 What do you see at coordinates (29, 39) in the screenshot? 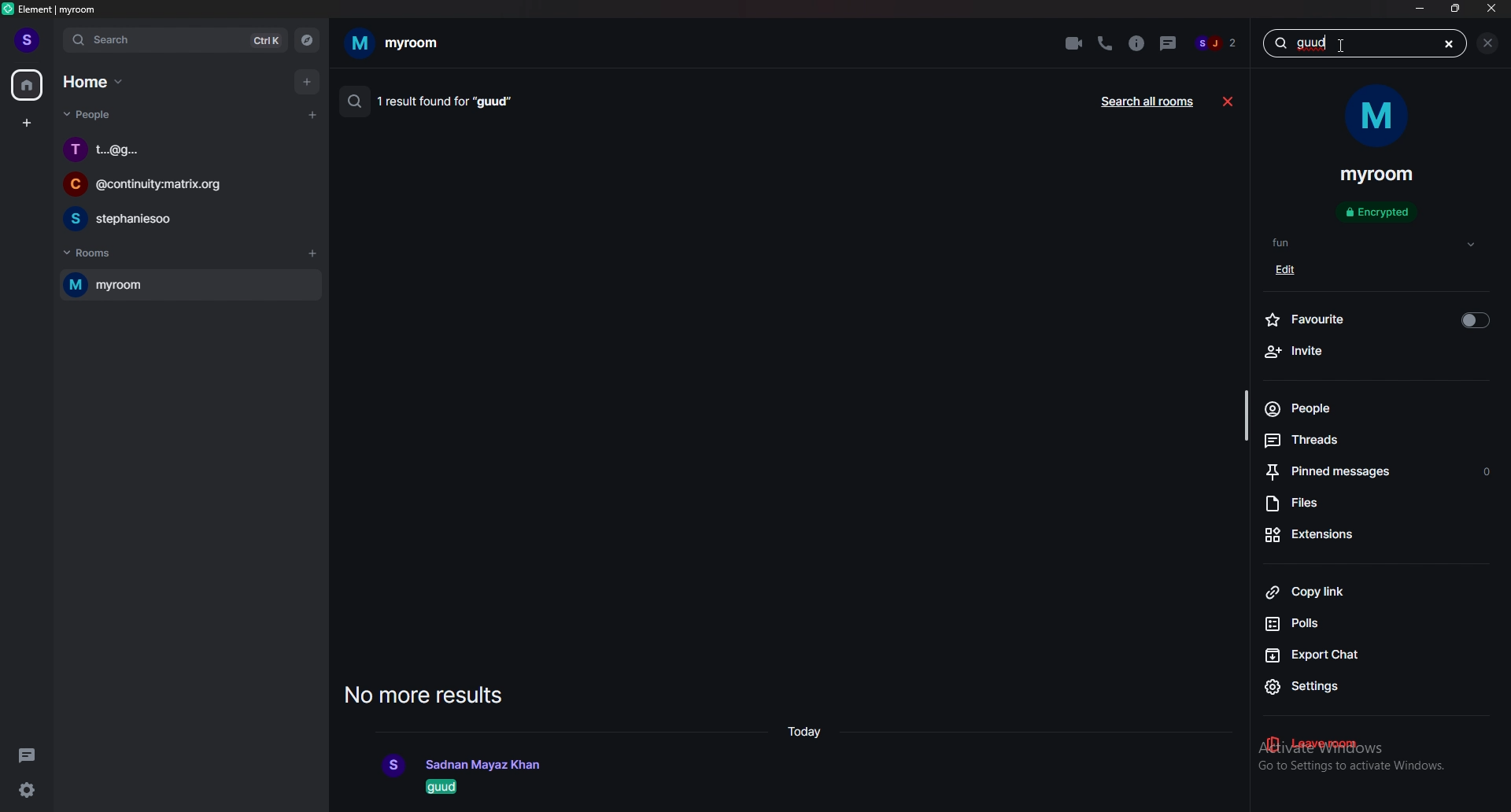
I see `profile` at bounding box center [29, 39].